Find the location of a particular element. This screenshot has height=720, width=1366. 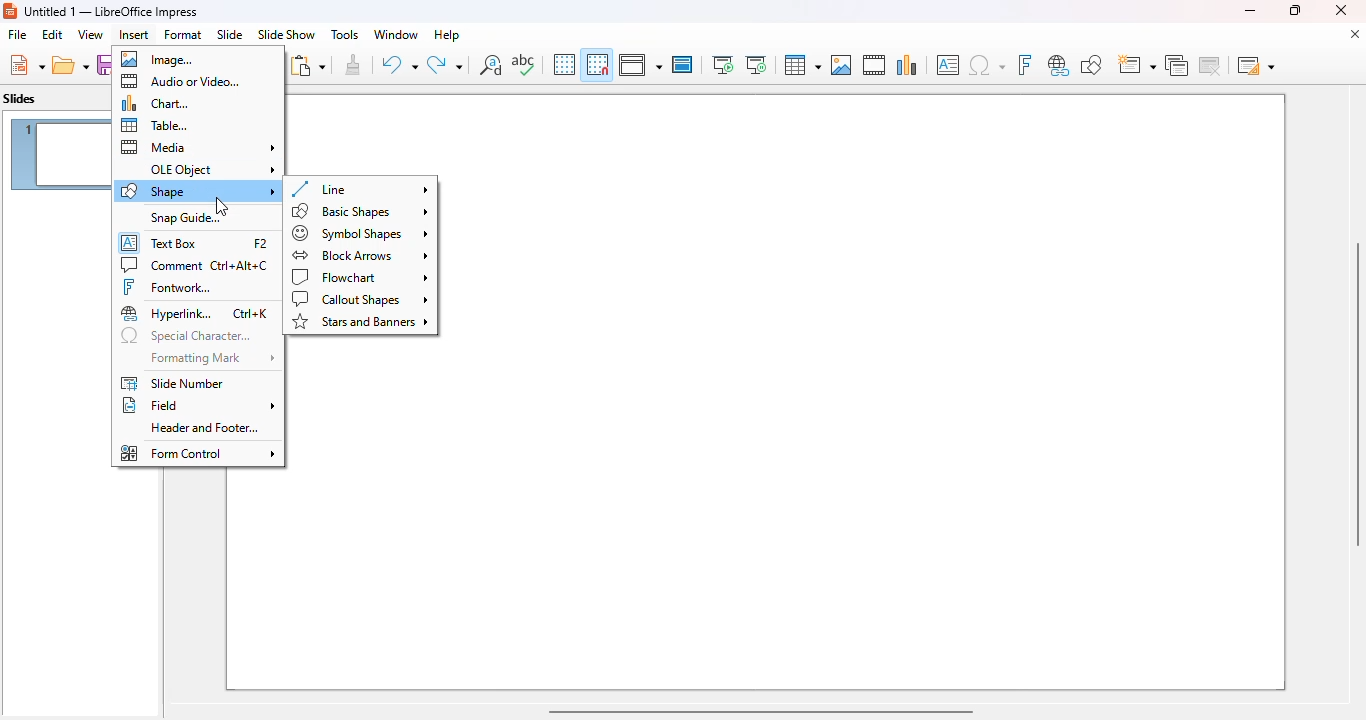

show draw functions is located at coordinates (1090, 64).